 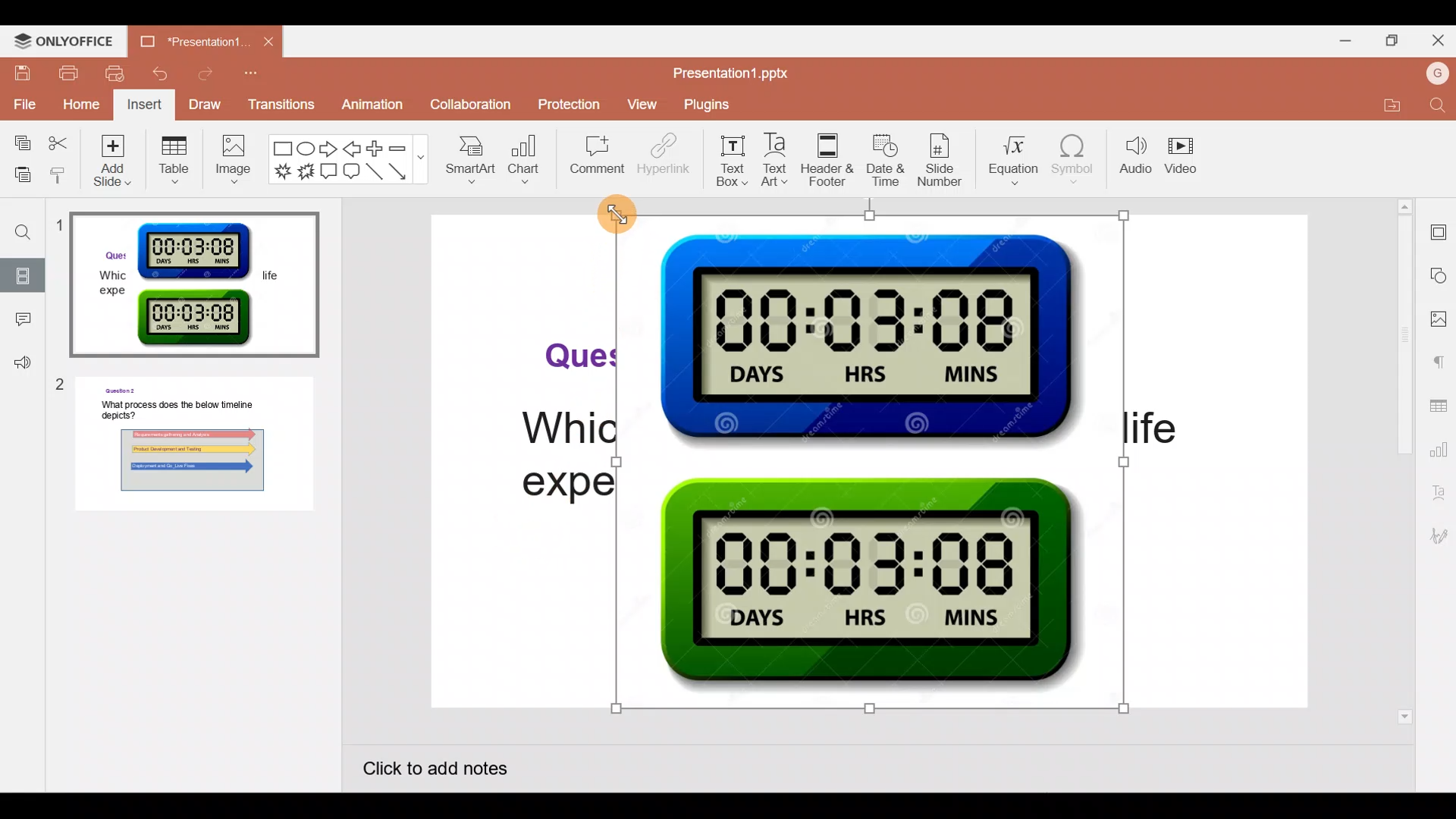 I want to click on Explosion 2, so click(x=304, y=169).